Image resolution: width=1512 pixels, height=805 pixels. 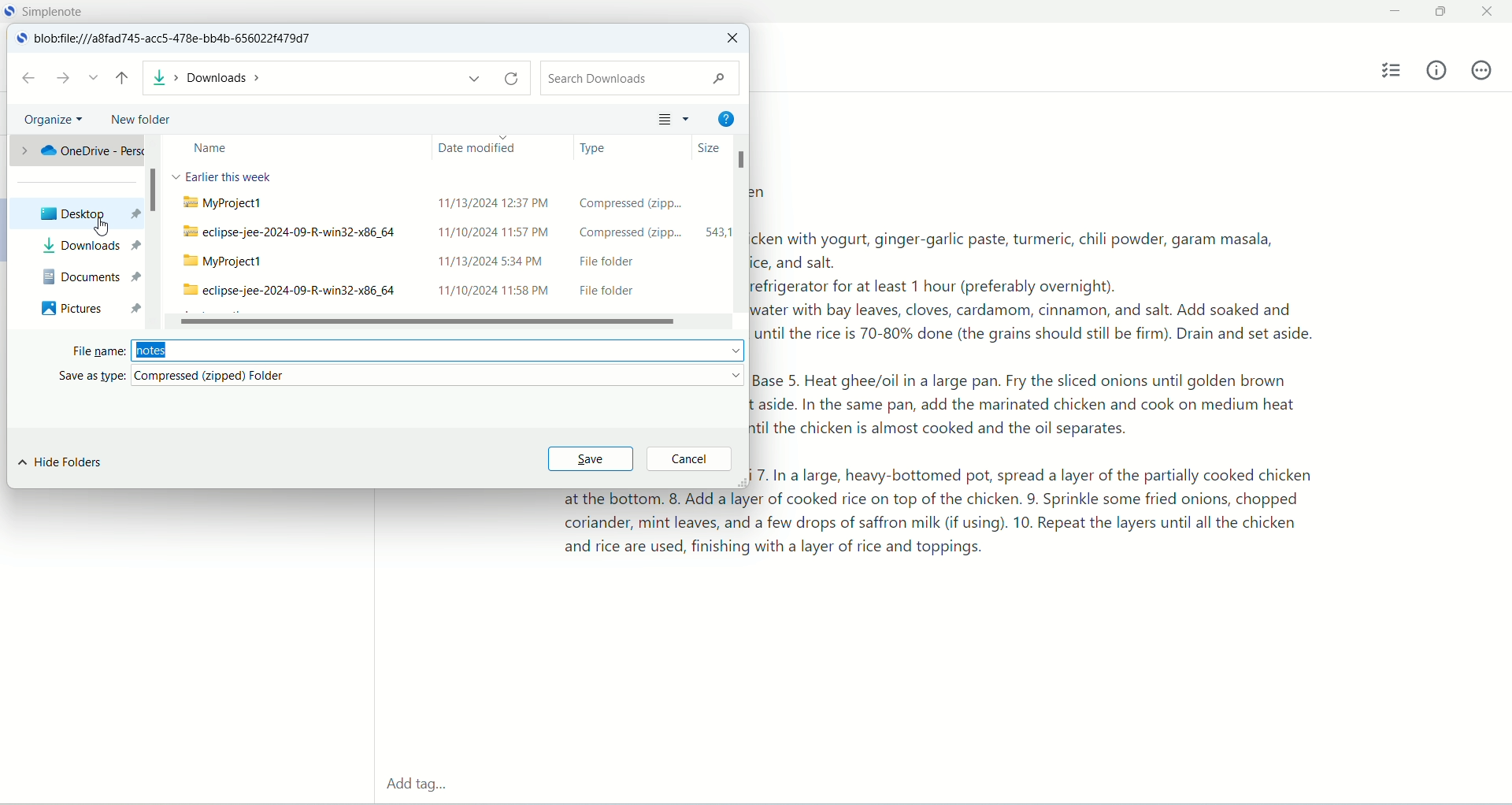 I want to click on vertical scroll bar, so click(x=739, y=236).